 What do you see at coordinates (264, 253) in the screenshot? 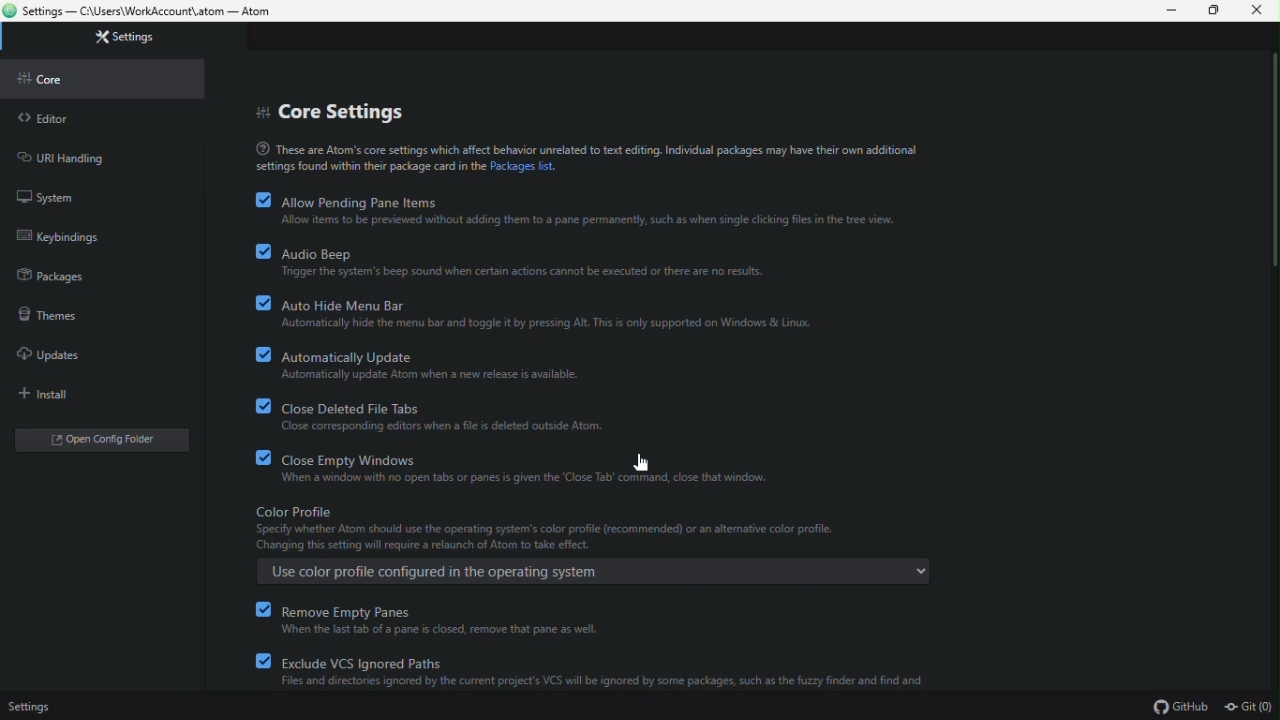
I see `checkbox ` at bounding box center [264, 253].